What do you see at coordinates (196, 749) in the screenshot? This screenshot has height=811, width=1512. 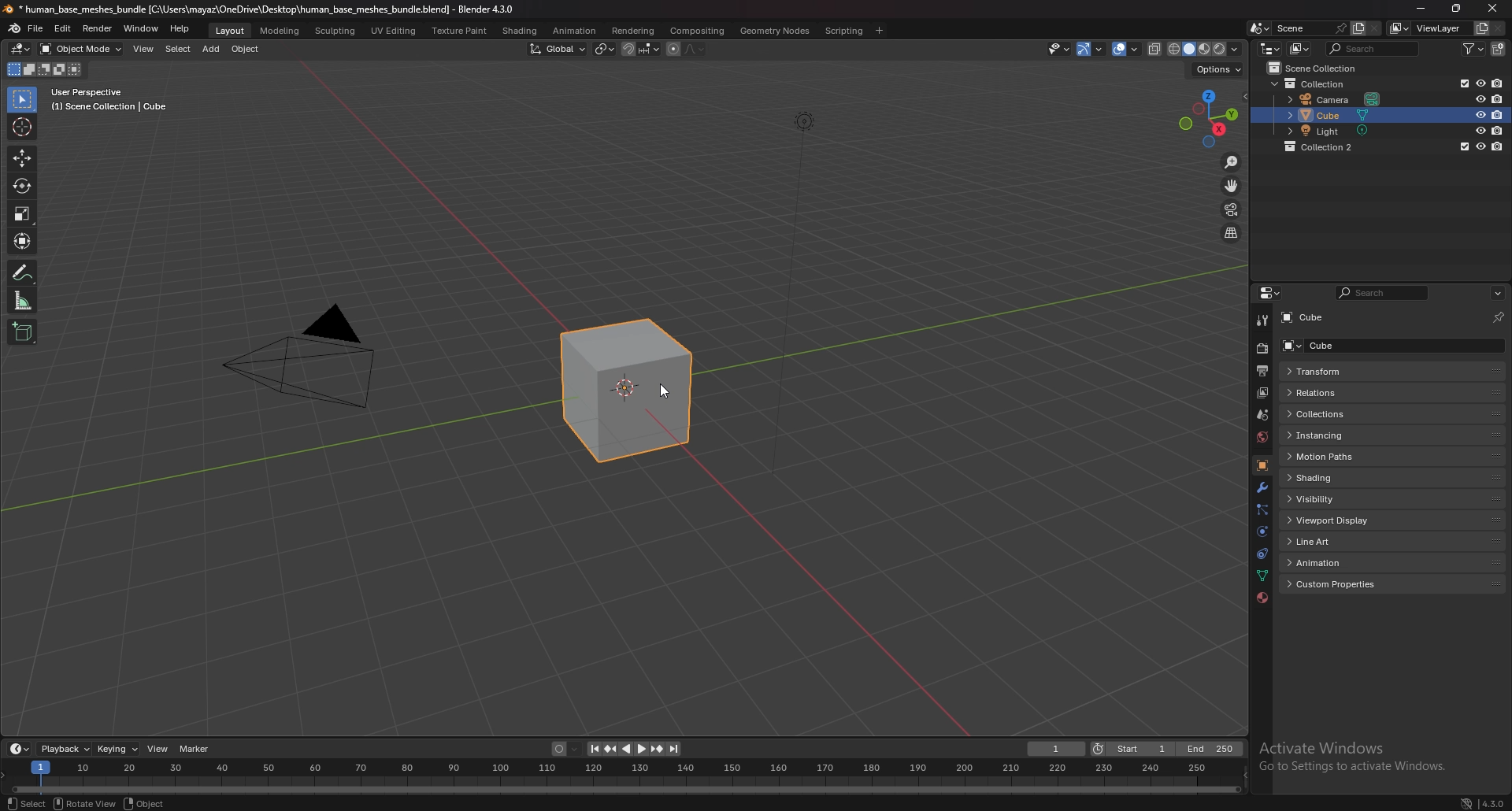 I see `marker` at bounding box center [196, 749].